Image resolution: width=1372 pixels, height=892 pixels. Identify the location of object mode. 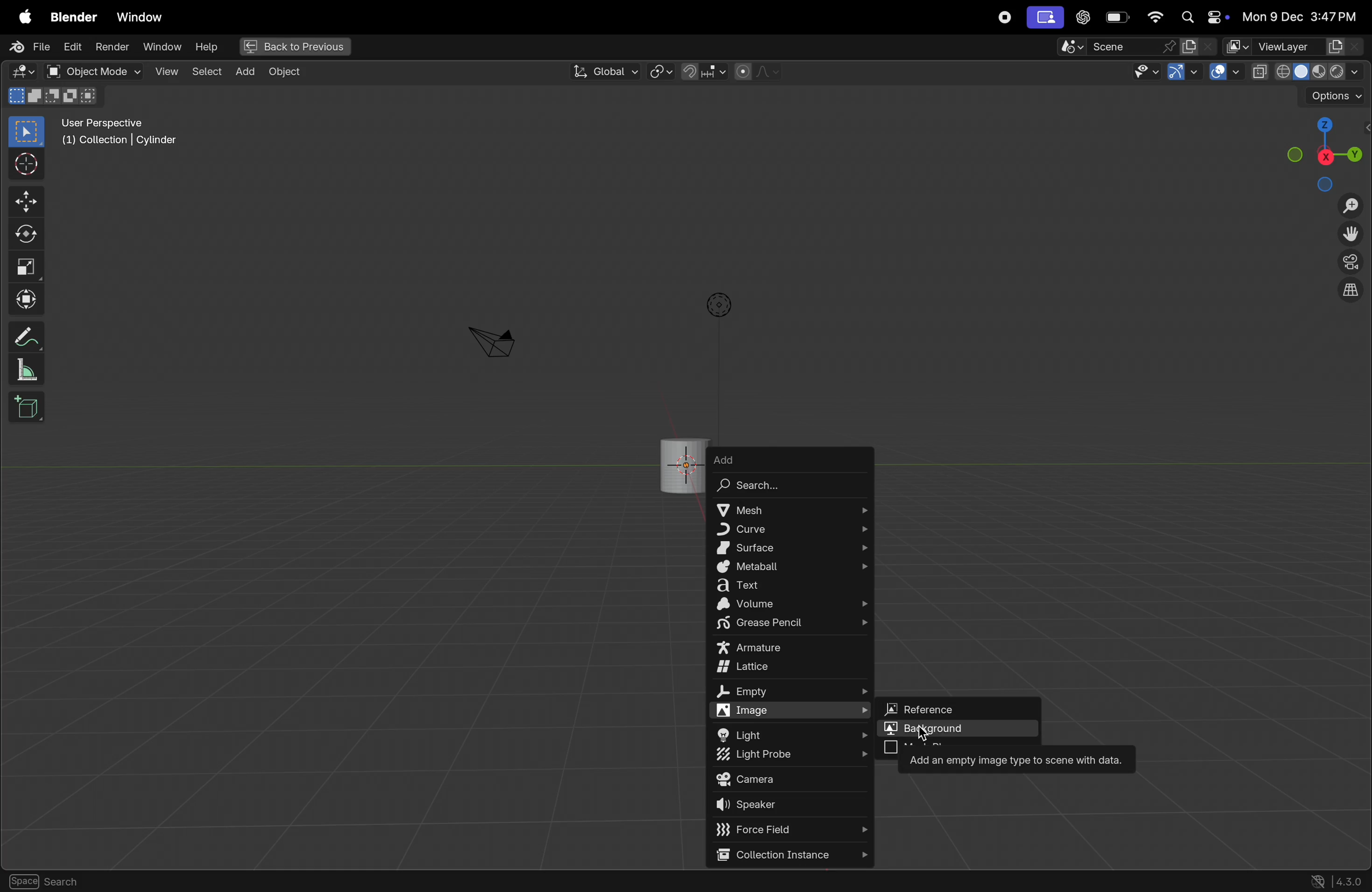
(91, 71).